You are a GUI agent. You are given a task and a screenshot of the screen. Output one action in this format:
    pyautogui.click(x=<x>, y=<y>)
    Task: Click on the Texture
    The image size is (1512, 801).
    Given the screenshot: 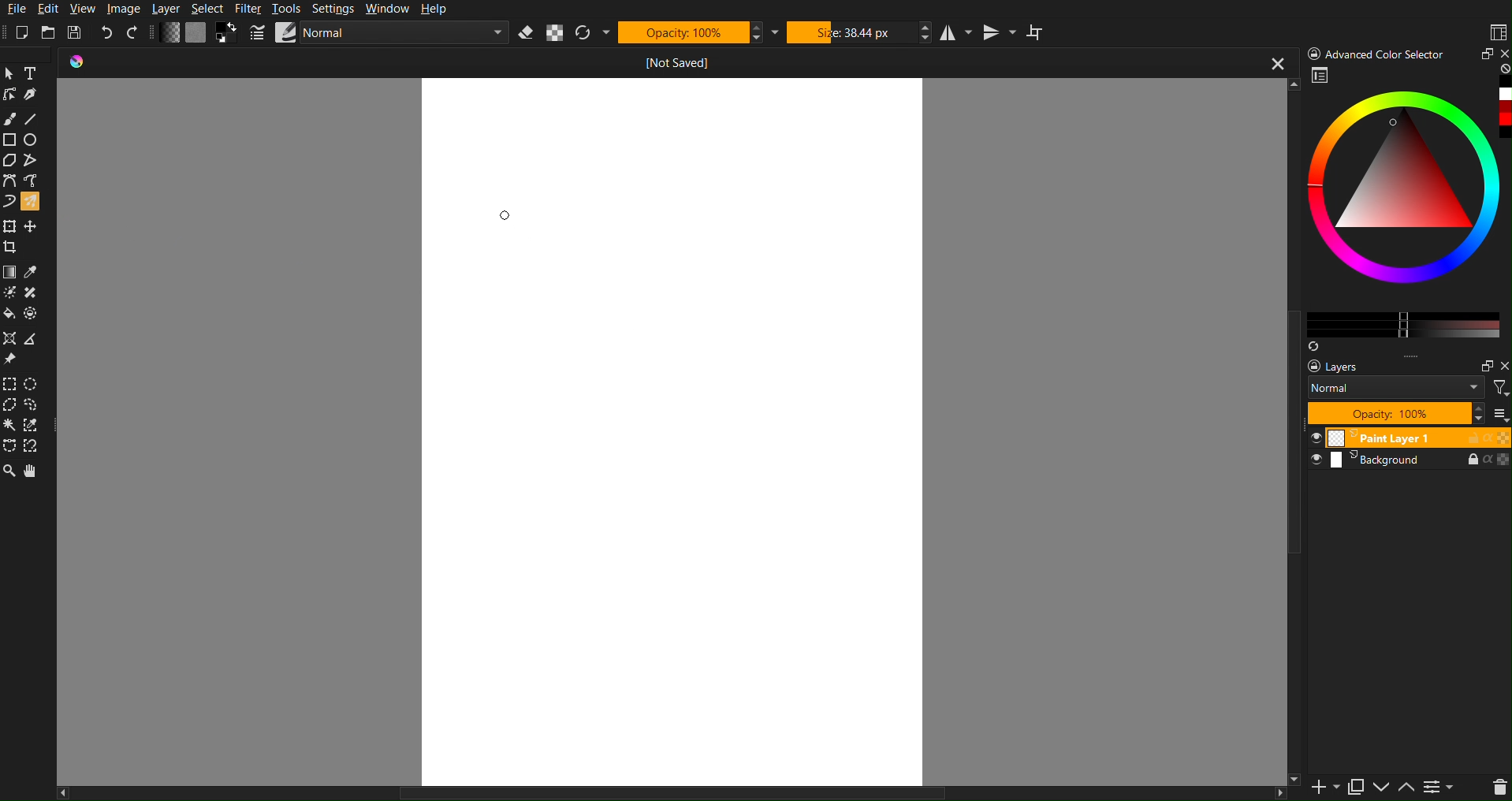 What is the action you would take?
    pyautogui.click(x=196, y=33)
    